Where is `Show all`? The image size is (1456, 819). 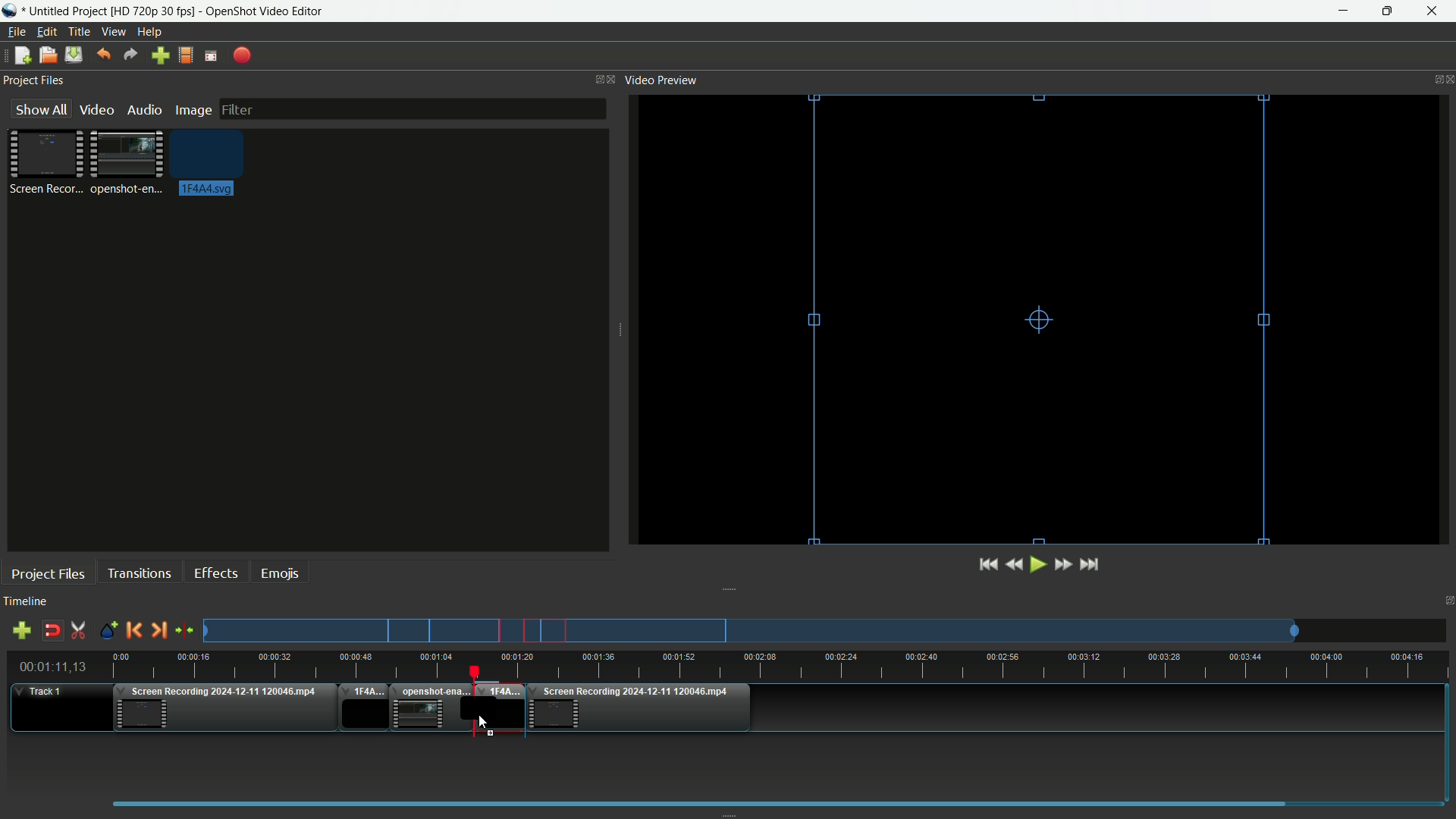
Show all is located at coordinates (36, 109).